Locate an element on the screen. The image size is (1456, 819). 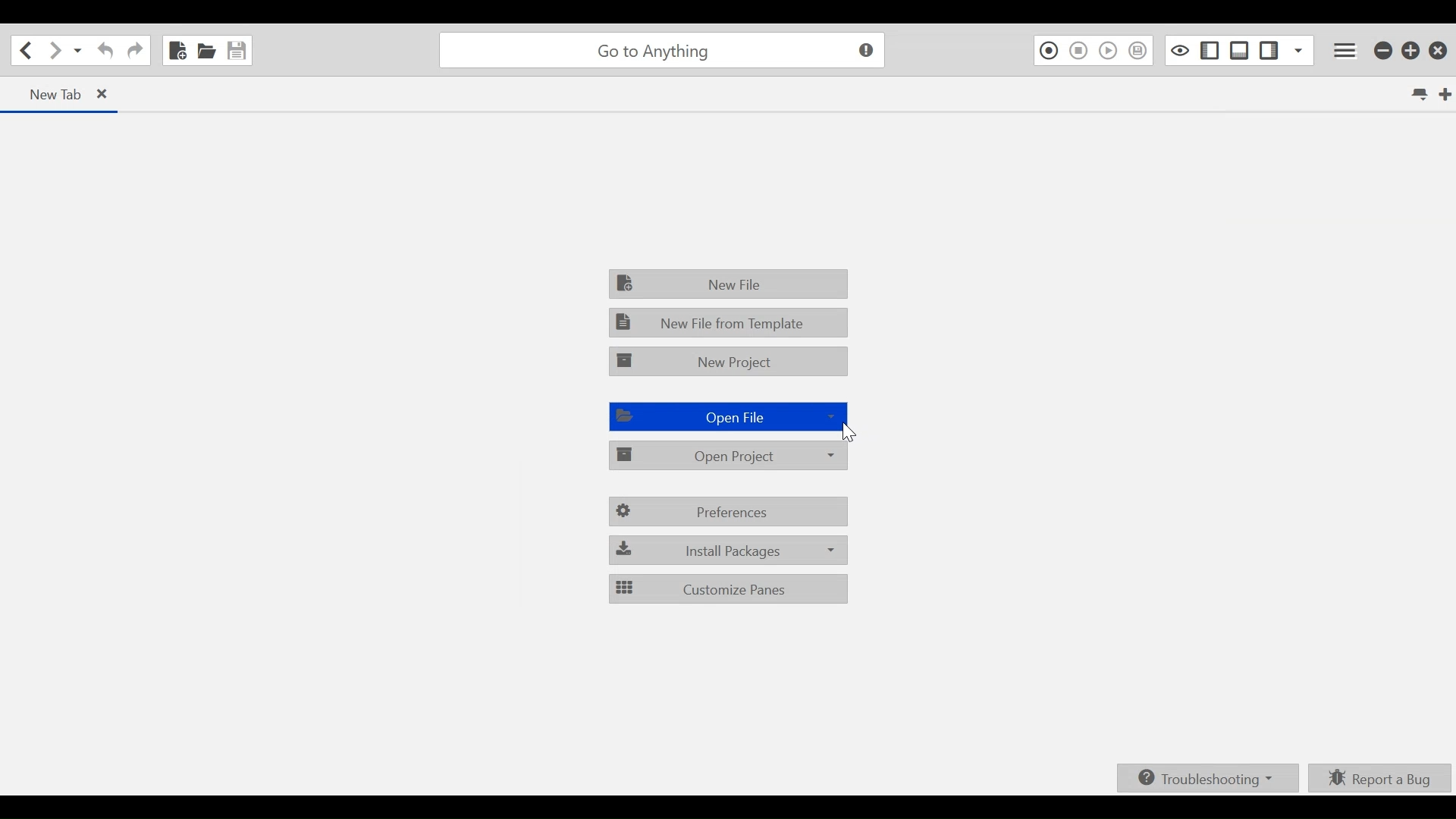
Troubleshooting is located at coordinates (1212, 778).